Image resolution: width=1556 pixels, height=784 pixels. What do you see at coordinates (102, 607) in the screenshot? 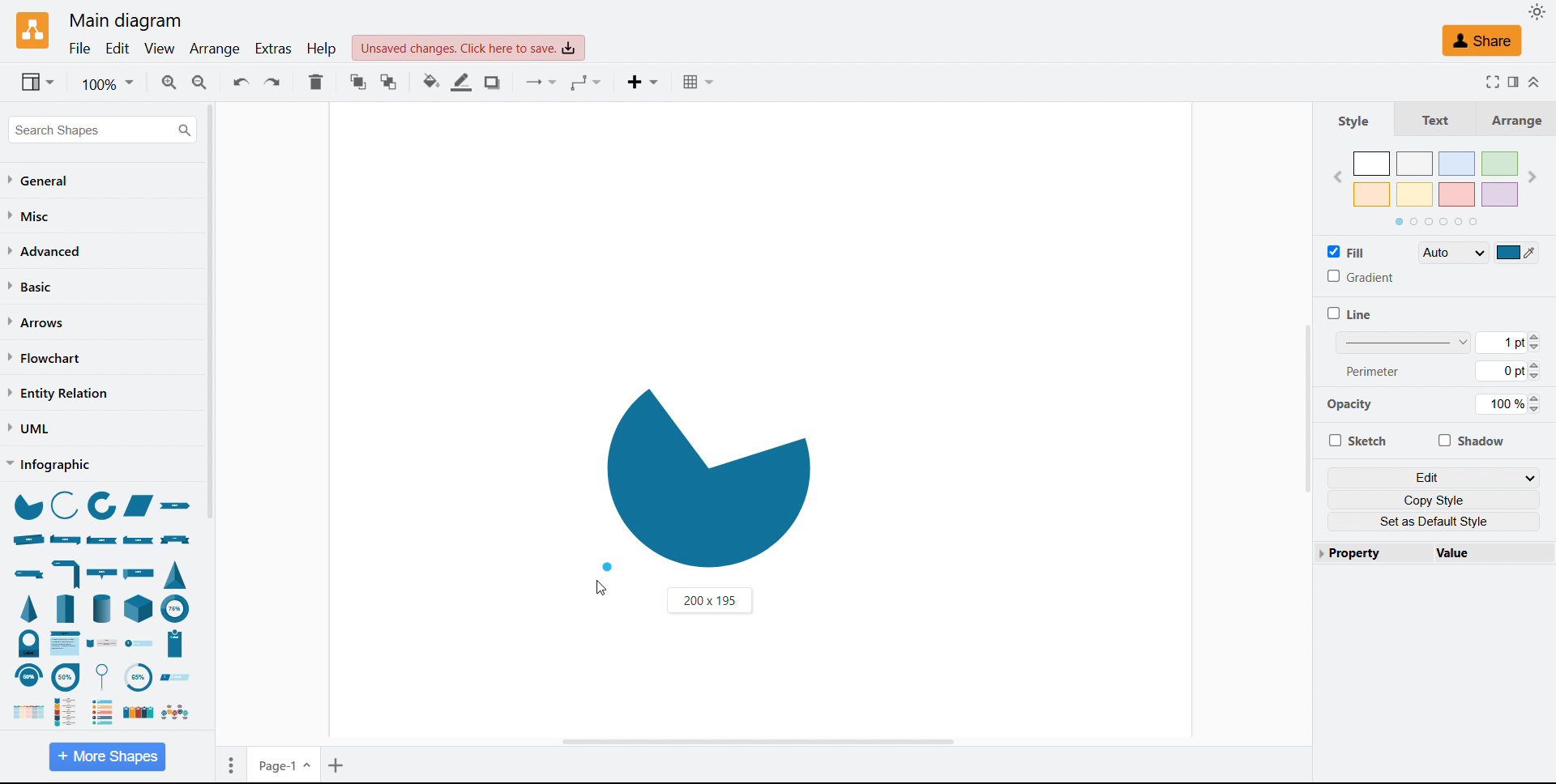
I see `cylinder` at bounding box center [102, 607].